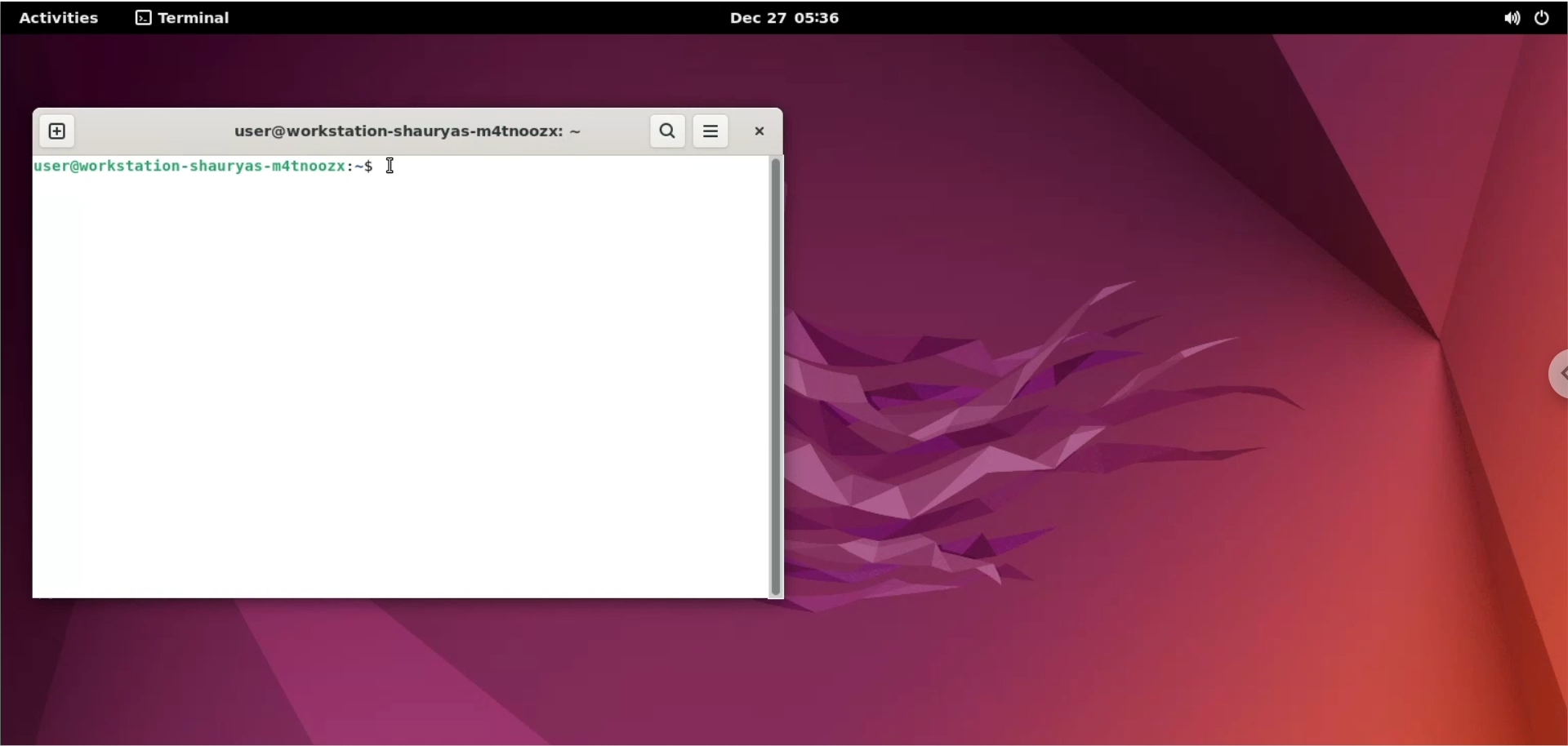 This screenshot has width=1568, height=746. Describe the element at coordinates (713, 135) in the screenshot. I see `more option` at that location.